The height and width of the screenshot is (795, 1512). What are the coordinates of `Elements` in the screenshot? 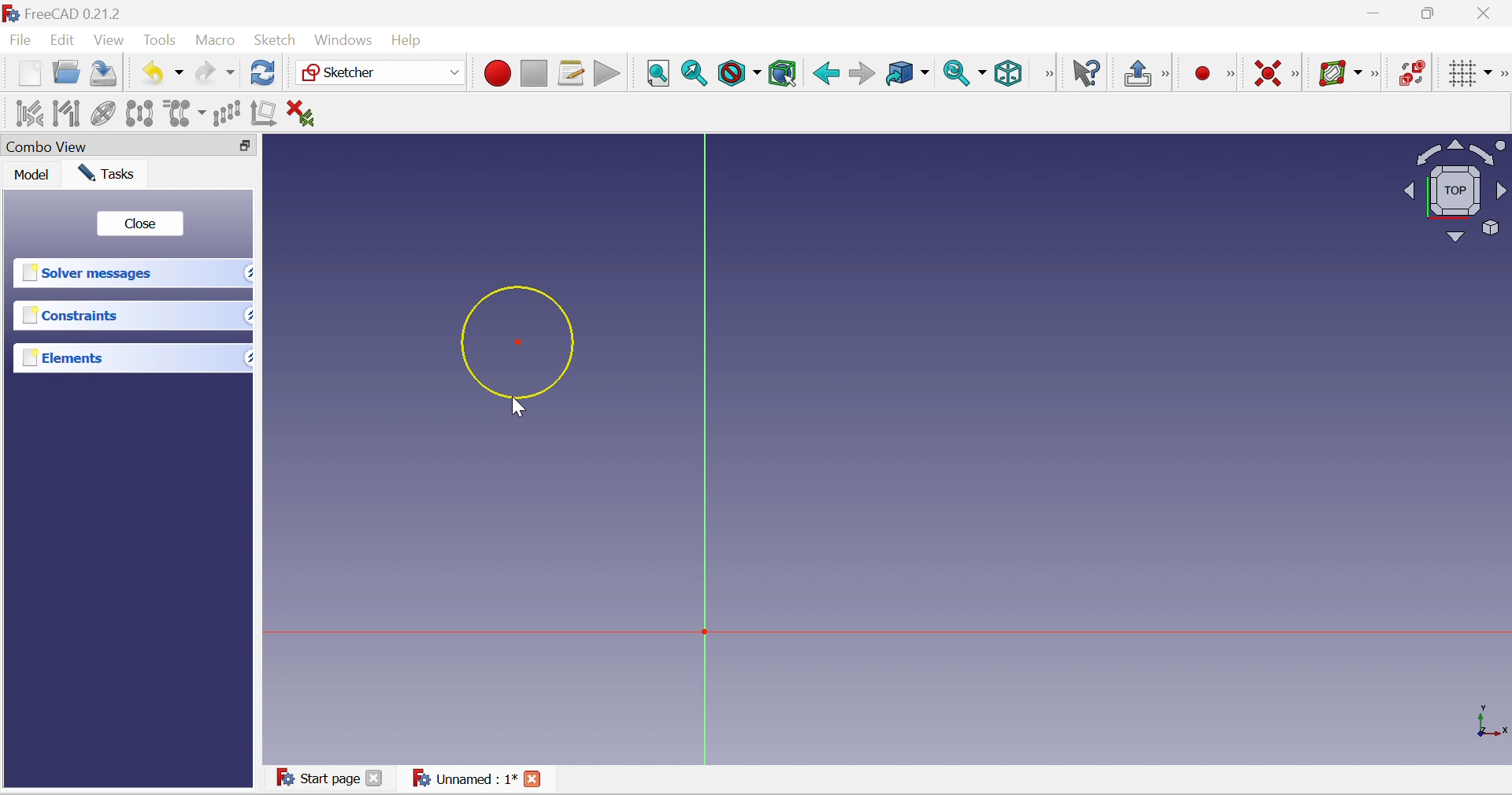 It's located at (61, 360).